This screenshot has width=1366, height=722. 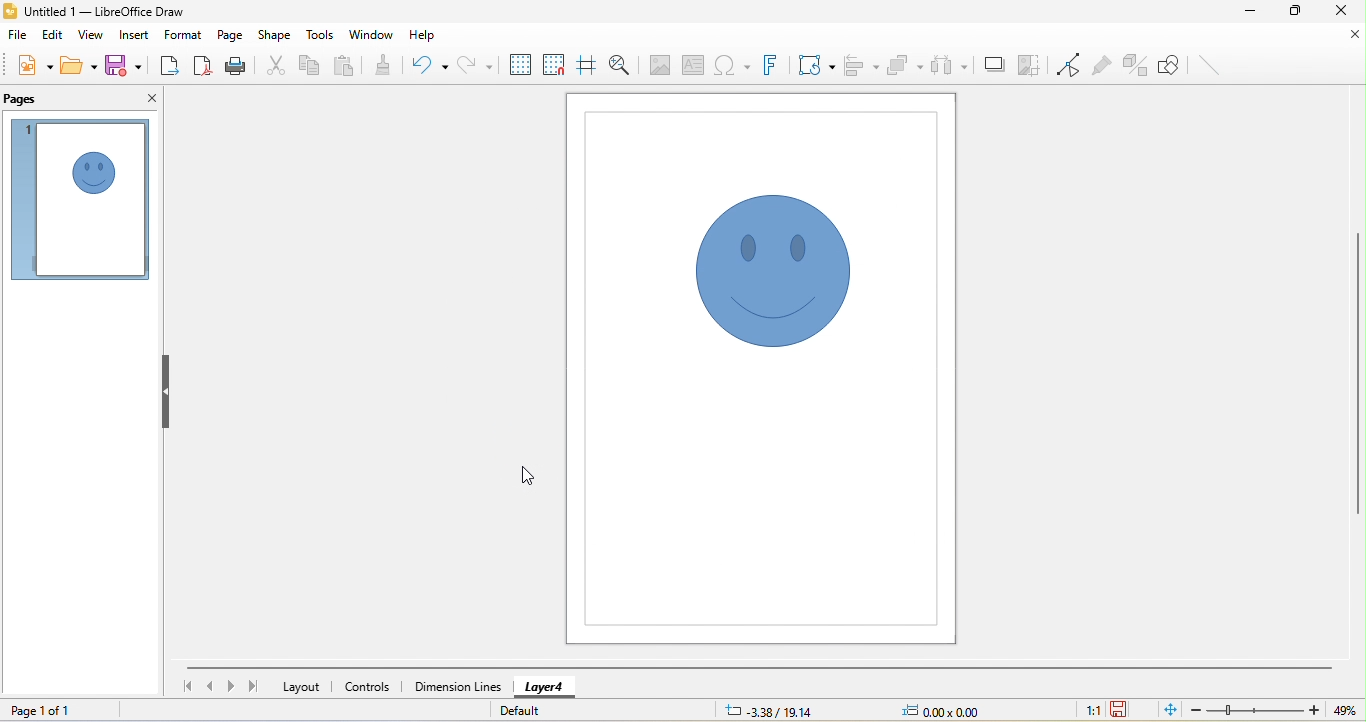 I want to click on insert, so click(x=135, y=35).